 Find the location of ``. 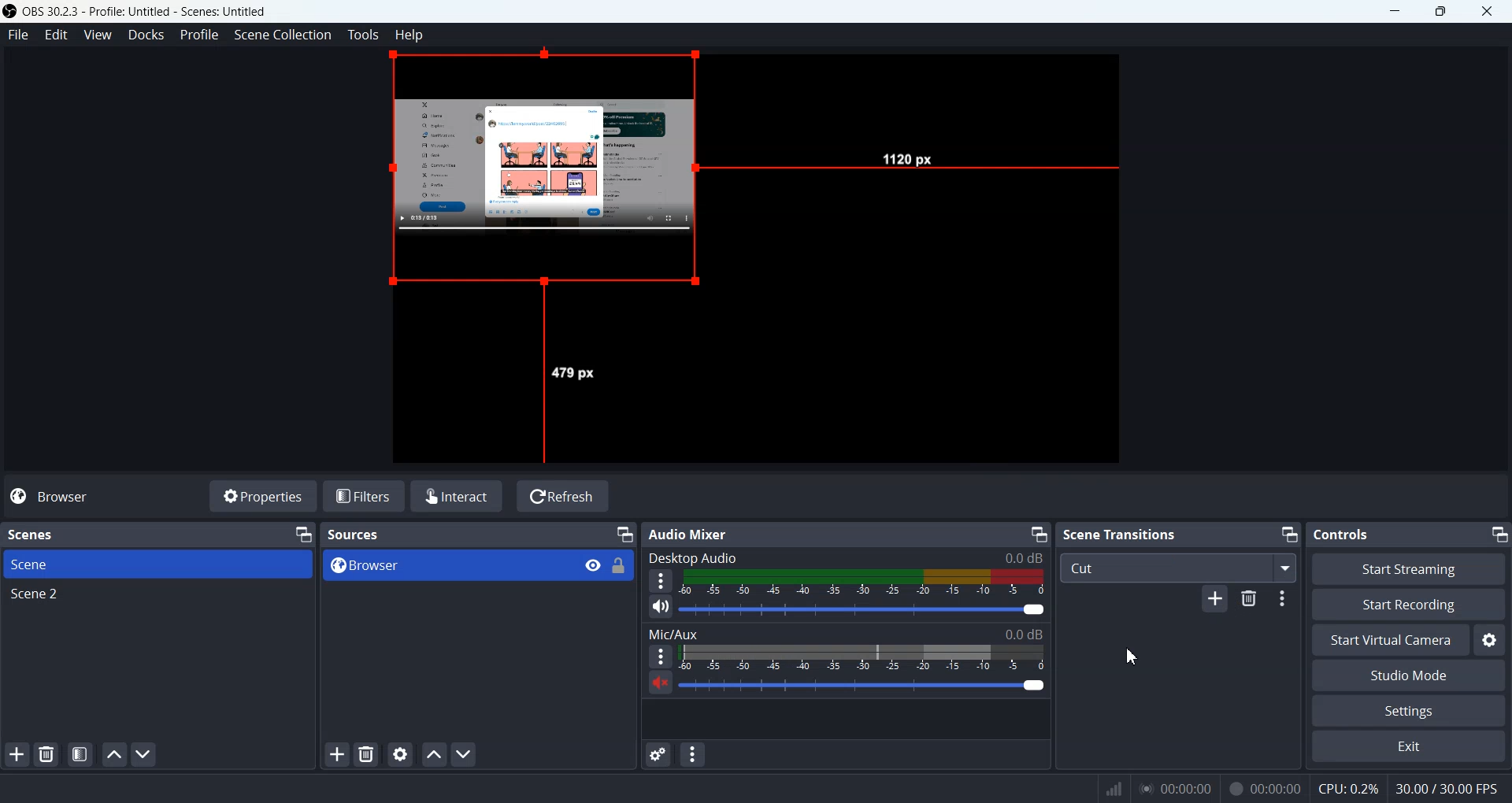

 is located at coordinates (574, 373).